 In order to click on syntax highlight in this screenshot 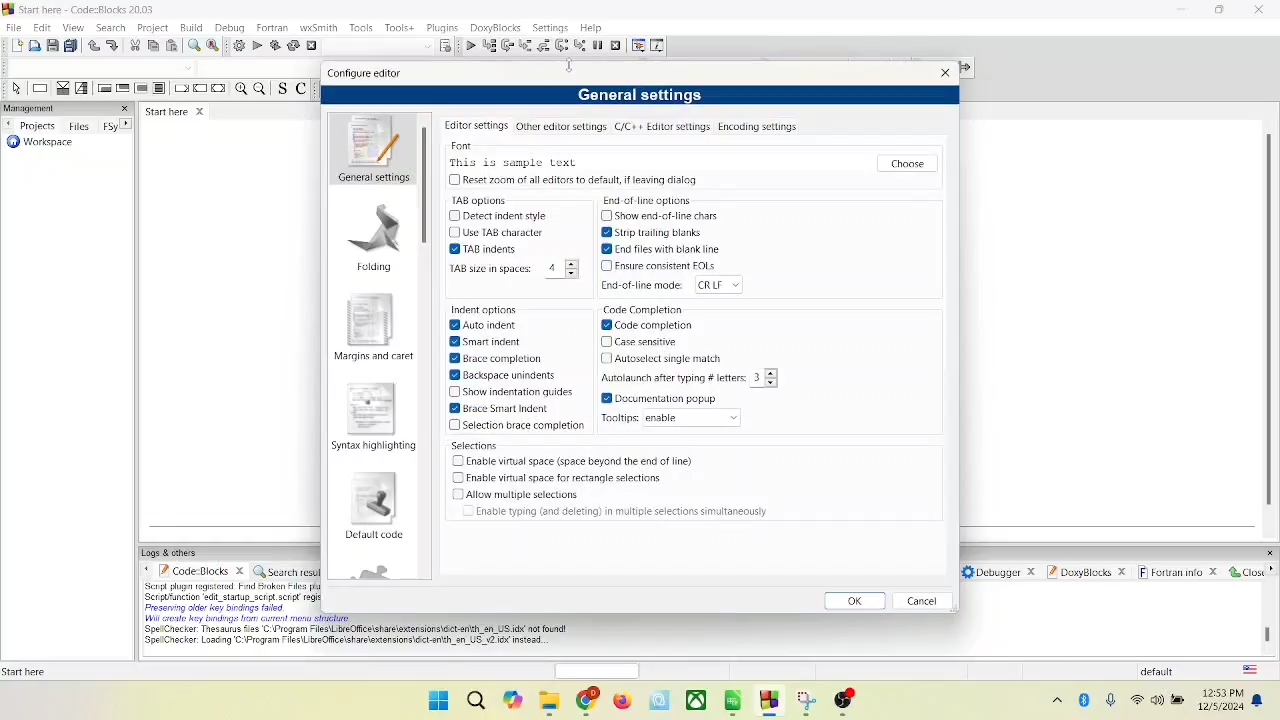, I will do `click(371, 419)`.